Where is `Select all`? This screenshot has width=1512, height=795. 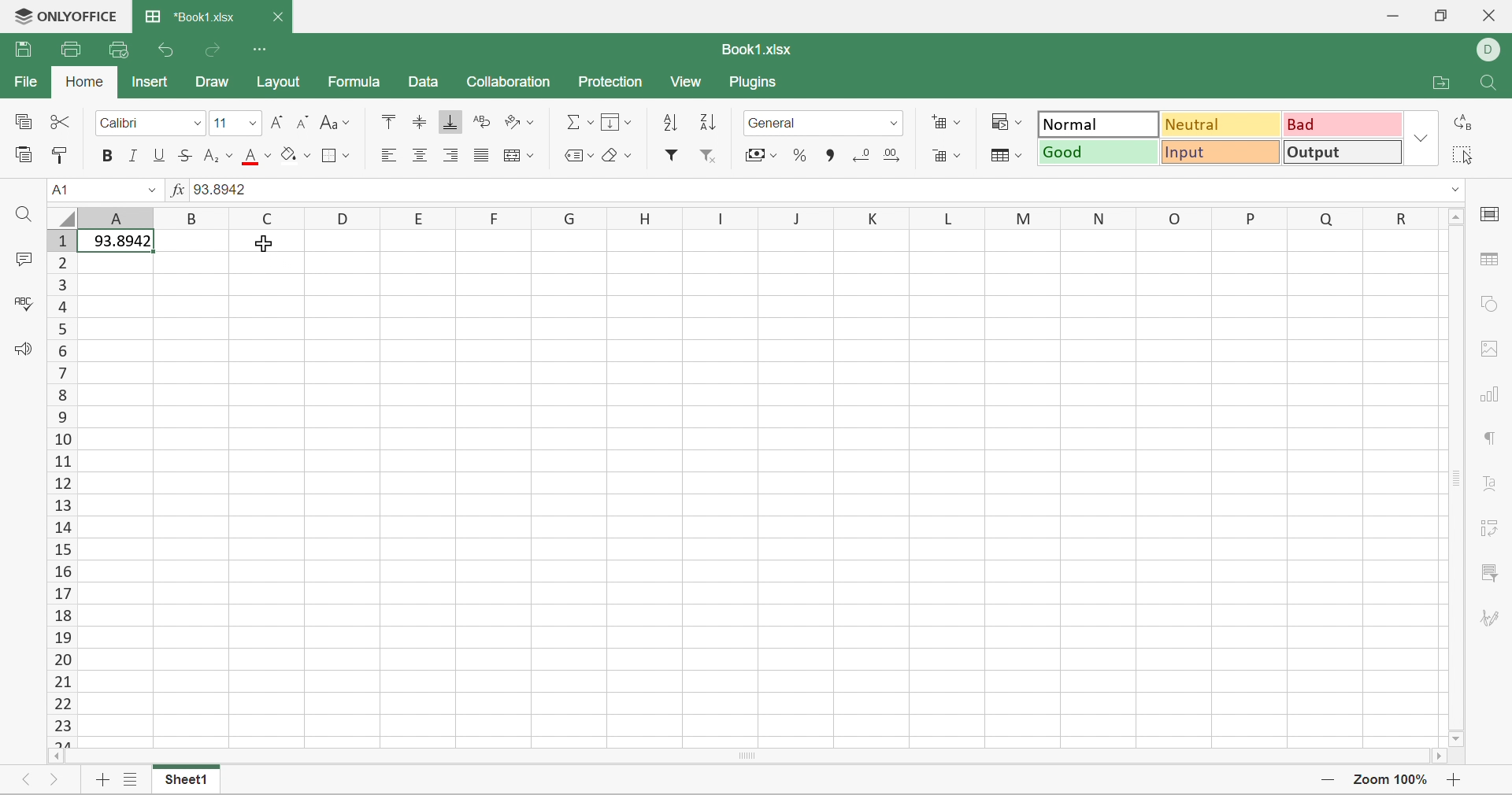
Select all is located at coordinates (1462, 154).